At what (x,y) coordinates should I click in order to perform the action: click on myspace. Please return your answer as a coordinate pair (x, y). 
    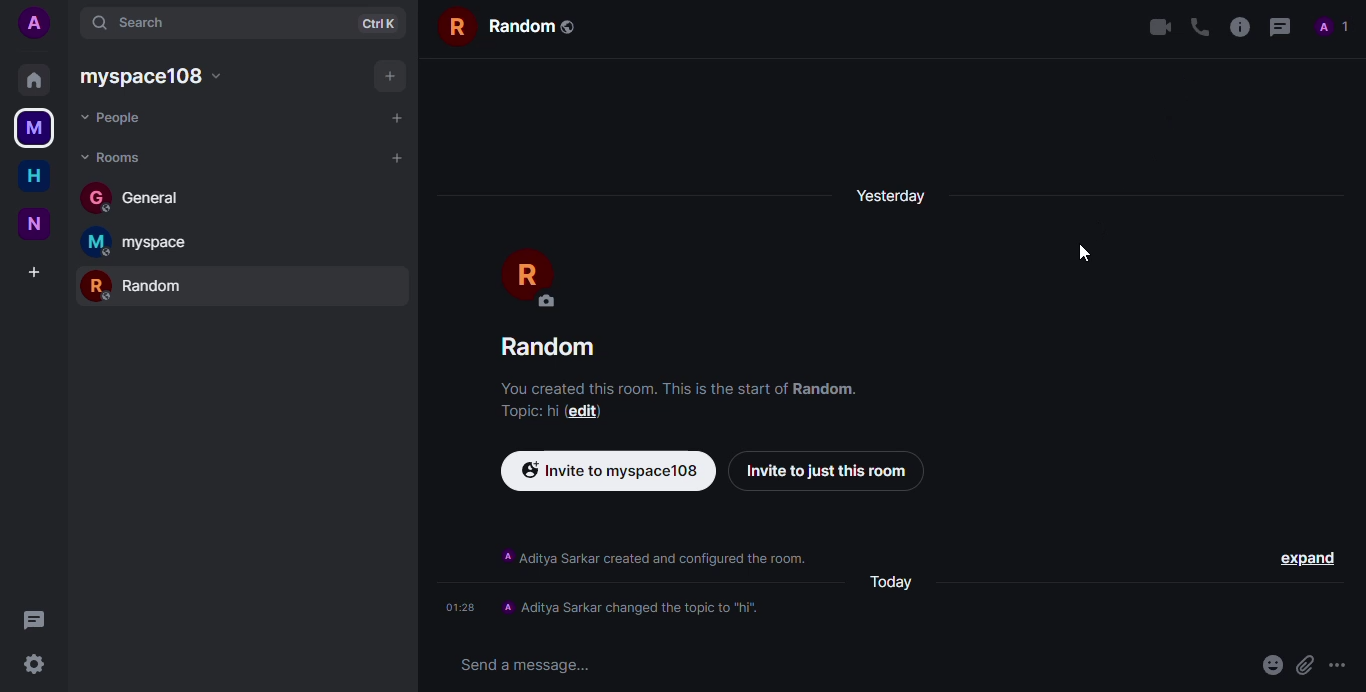
    Looking at the image, I should click on (140, 242).